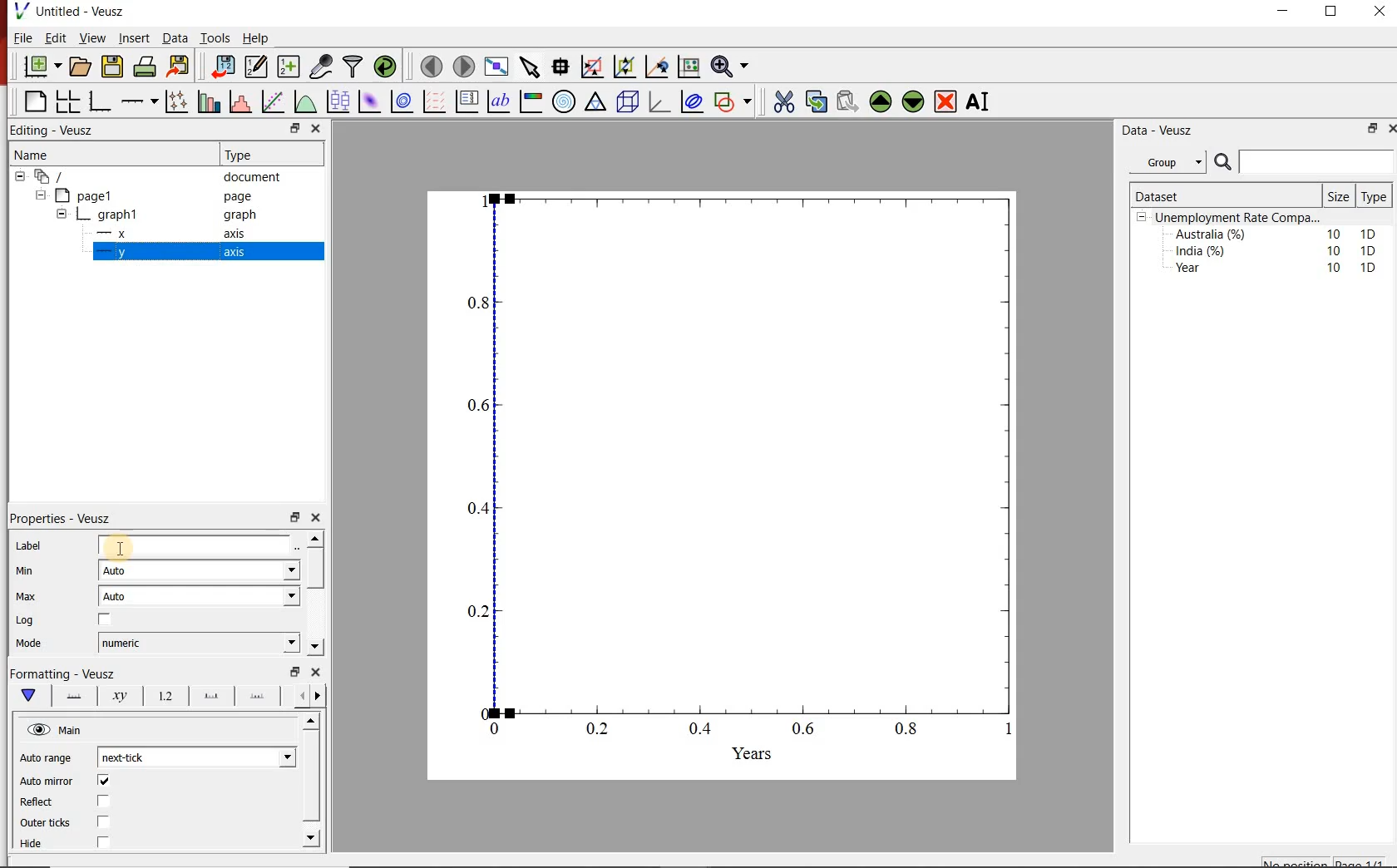  I want to click on click or draw rectangle on the zoom graph axes, so click(593, 67).